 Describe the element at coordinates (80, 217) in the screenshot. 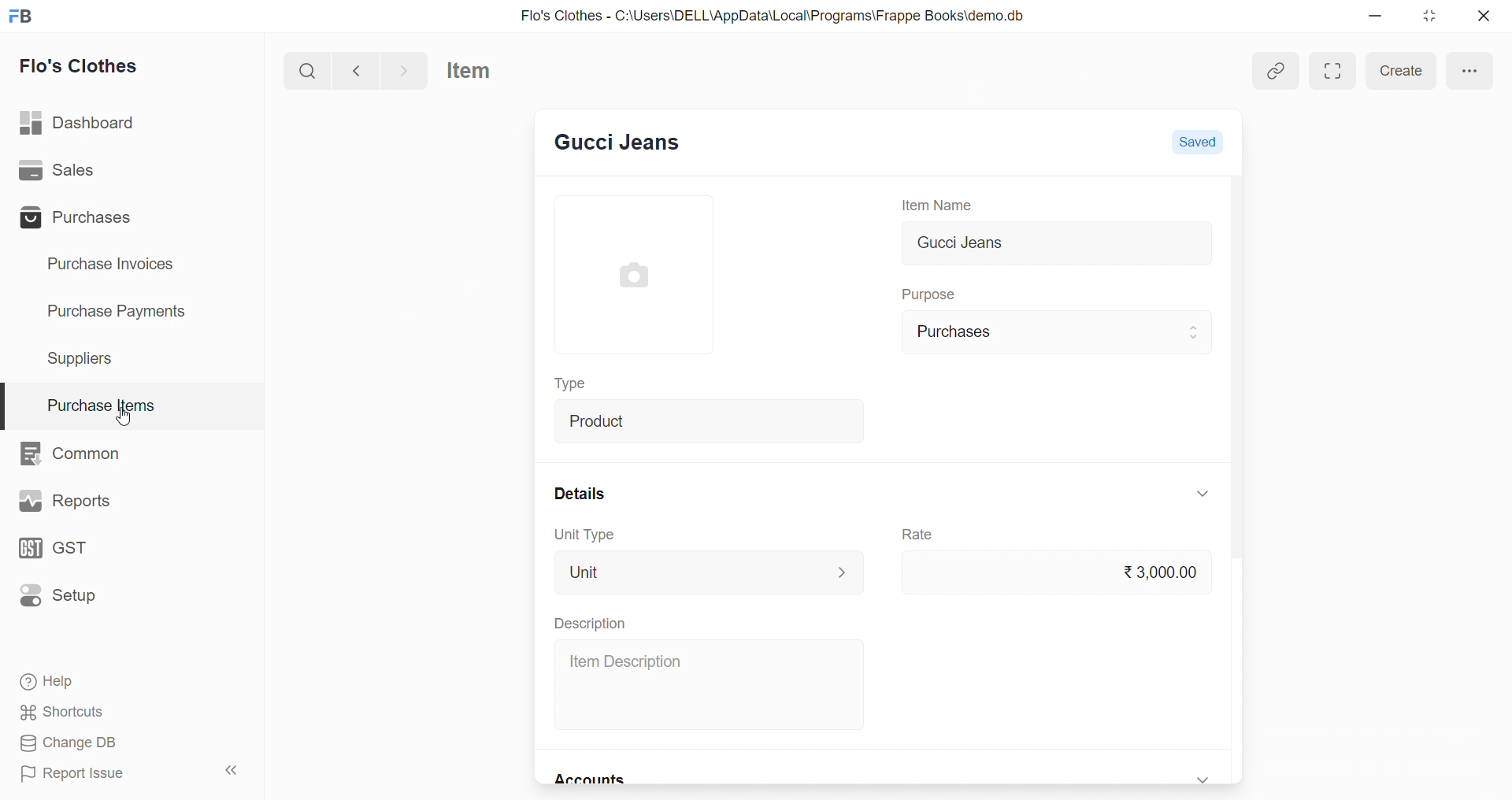

I see `Purchases` at that location.